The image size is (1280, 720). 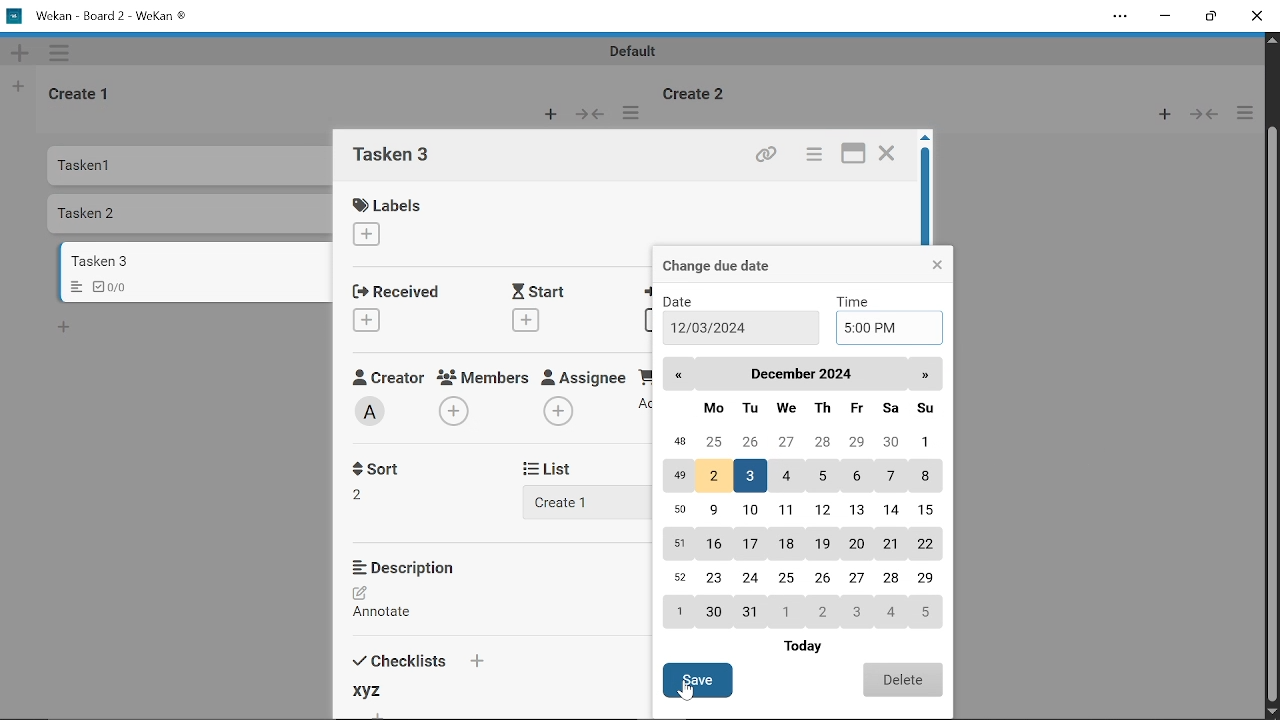 What do you see at coordinates (1209, 19) in the screenshot?
I see `Restore down` at bounding box center [1209, 19].